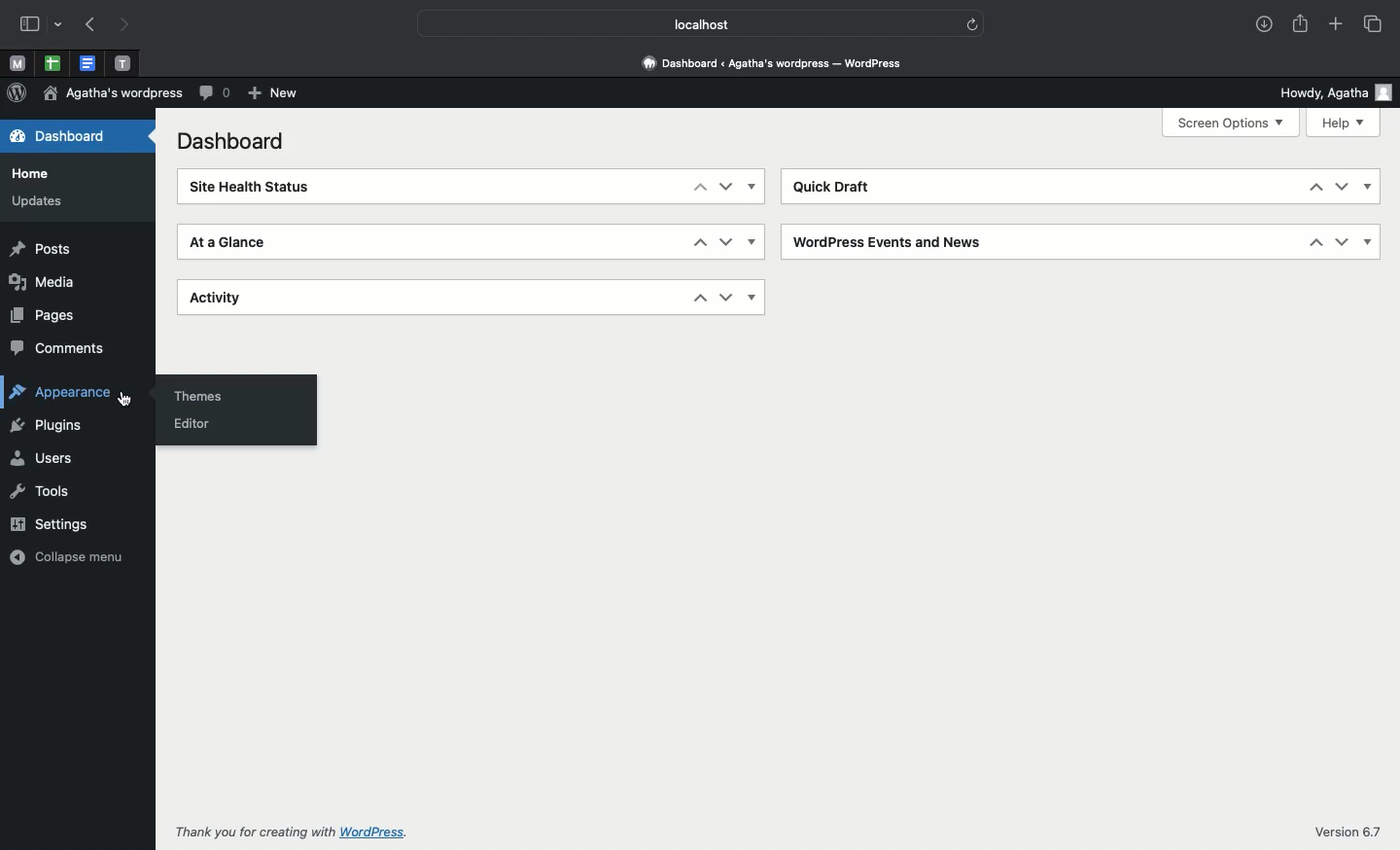 The image size is (1400, 850). I want to click on cursor, so click(124, 399).